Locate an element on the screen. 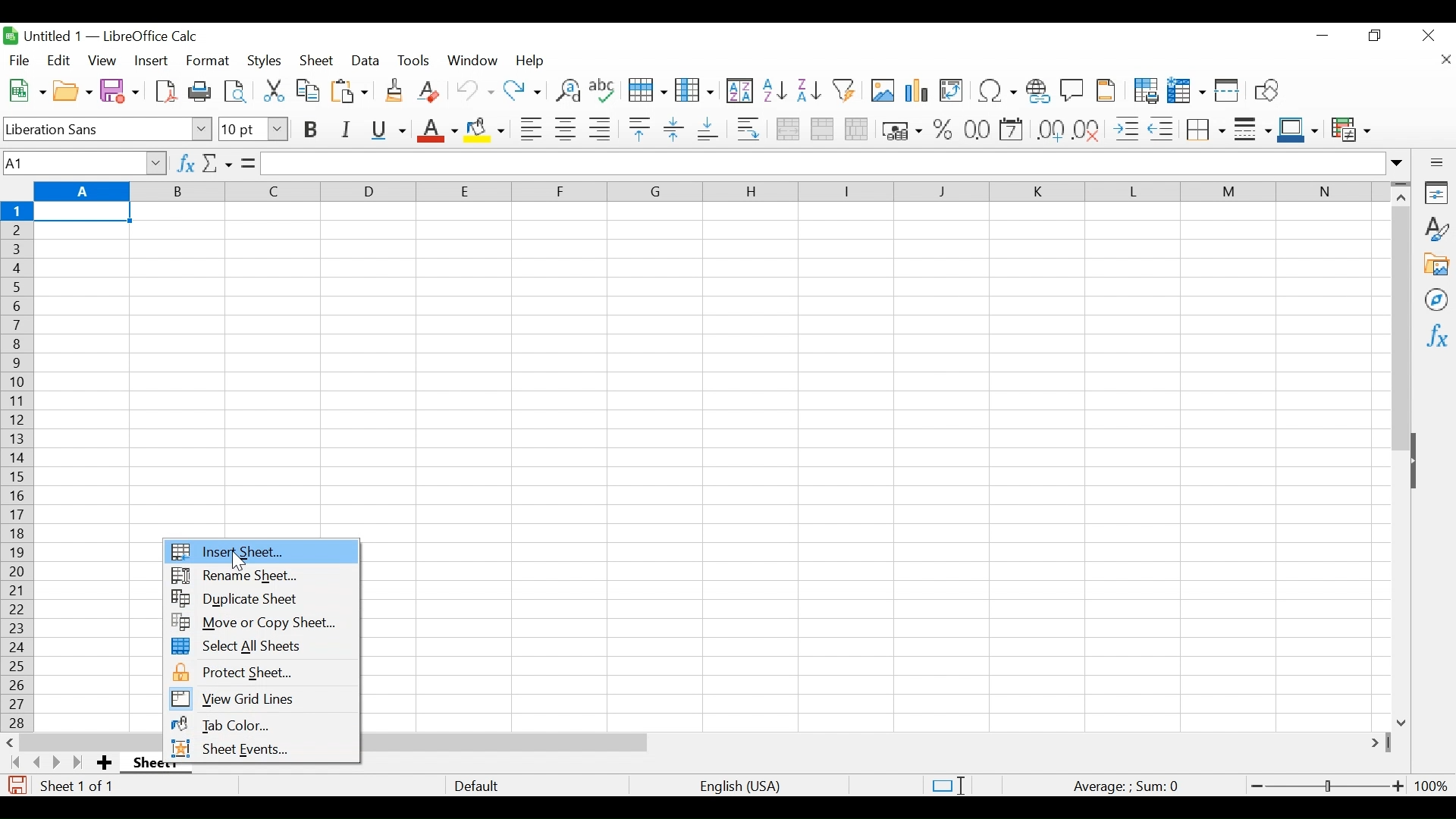  Bold is located at coordinates (310, 129).